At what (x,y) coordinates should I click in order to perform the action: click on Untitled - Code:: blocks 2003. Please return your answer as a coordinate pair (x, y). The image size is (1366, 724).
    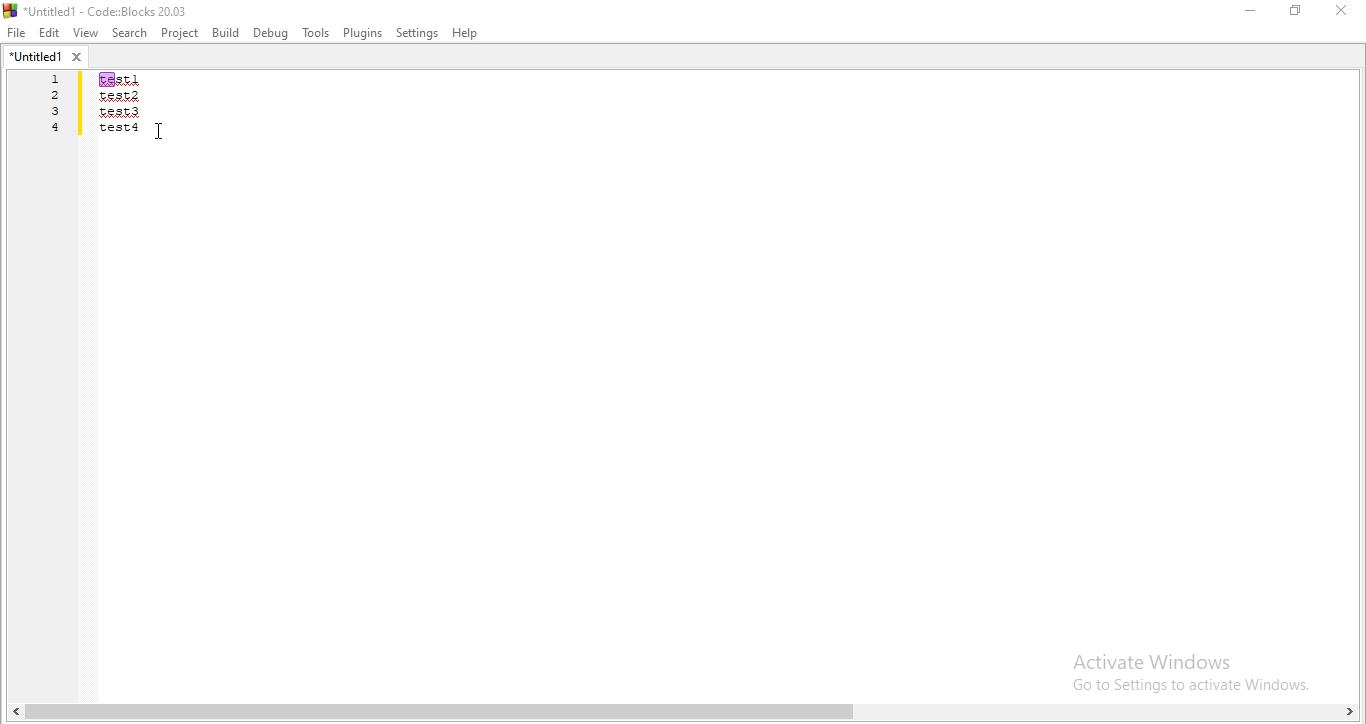
    Looking at the image, I should click on (100, 10).